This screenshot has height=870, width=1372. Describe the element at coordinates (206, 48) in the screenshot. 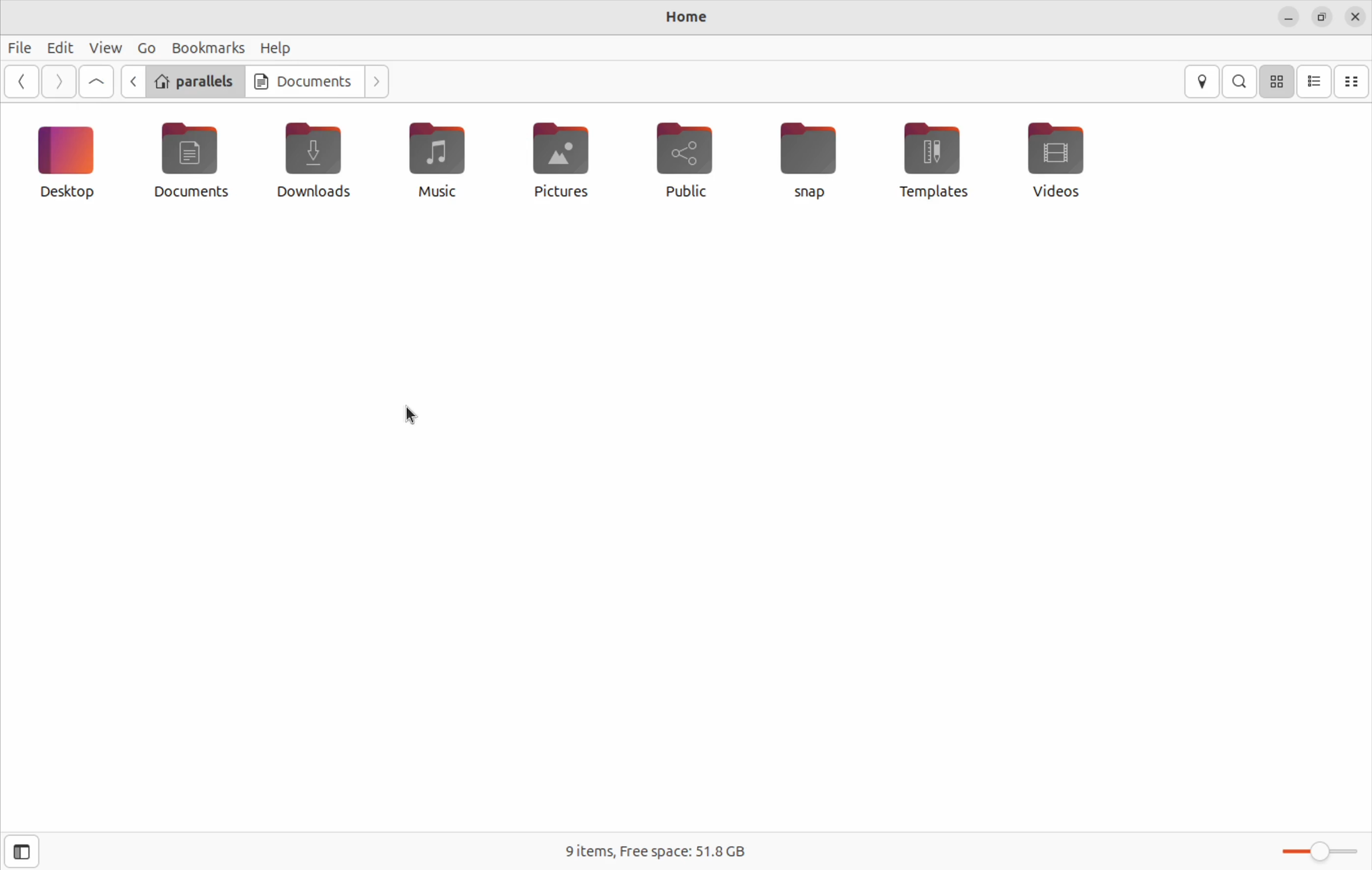

I see `bookmarks` at that location.